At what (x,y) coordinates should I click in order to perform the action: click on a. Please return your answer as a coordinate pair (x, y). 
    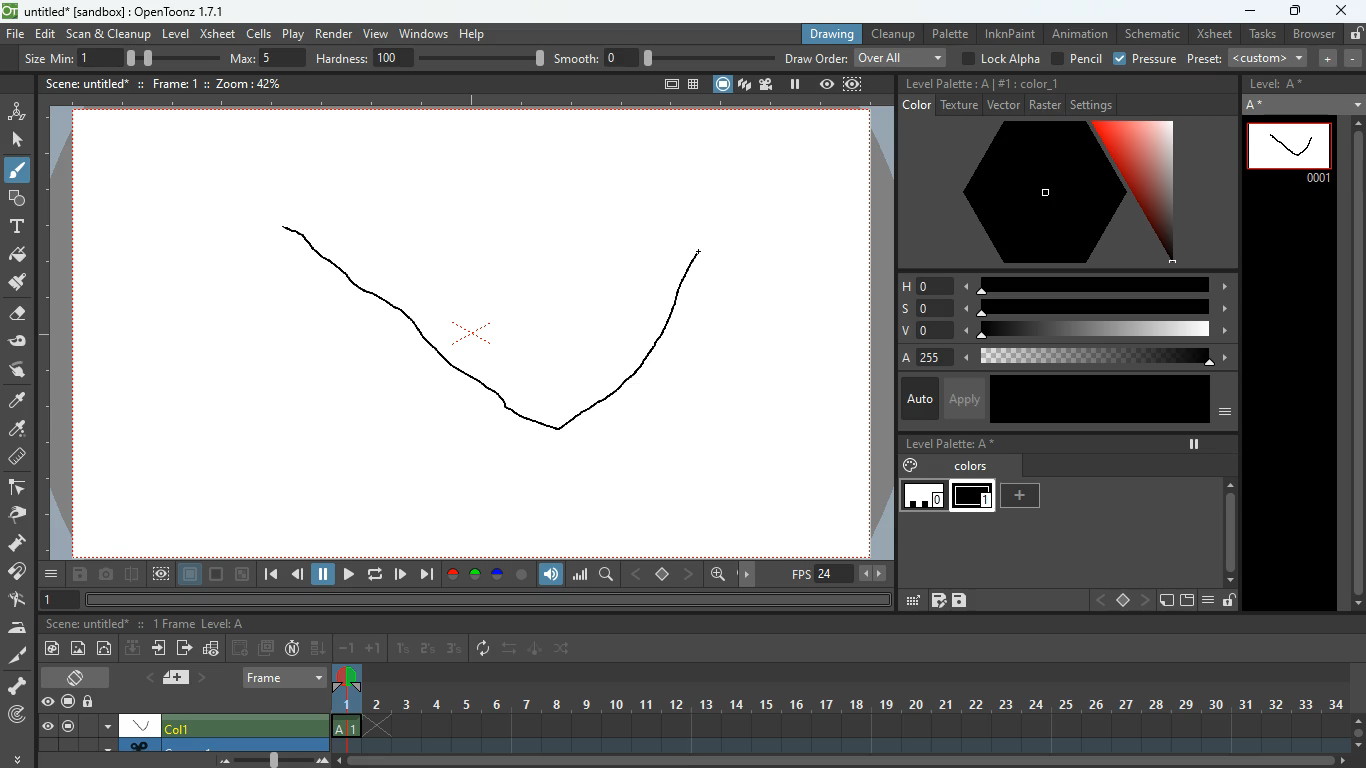
    Looking at the image, I should click on (1260, 106).